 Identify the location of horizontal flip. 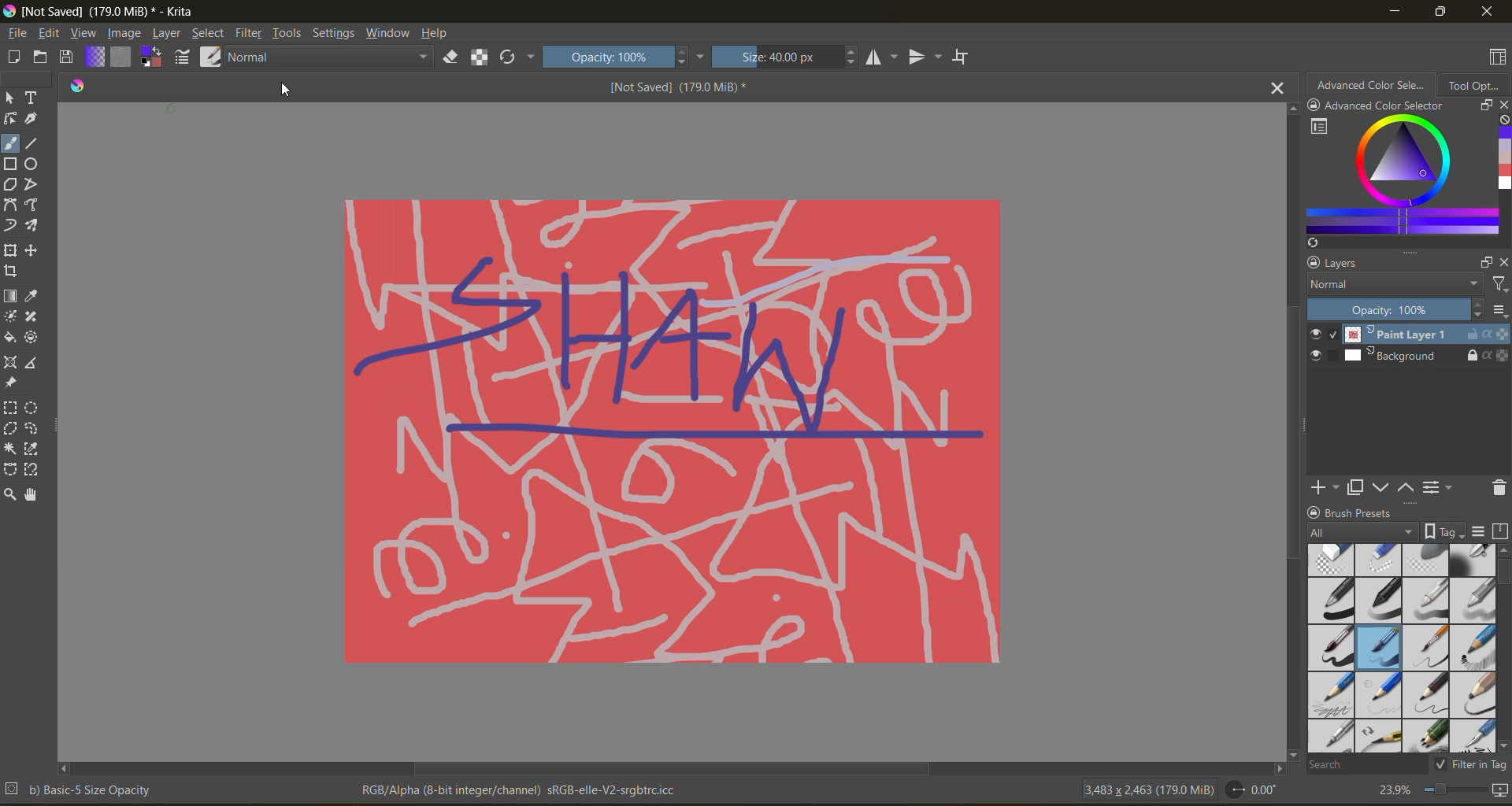
(883, 57).